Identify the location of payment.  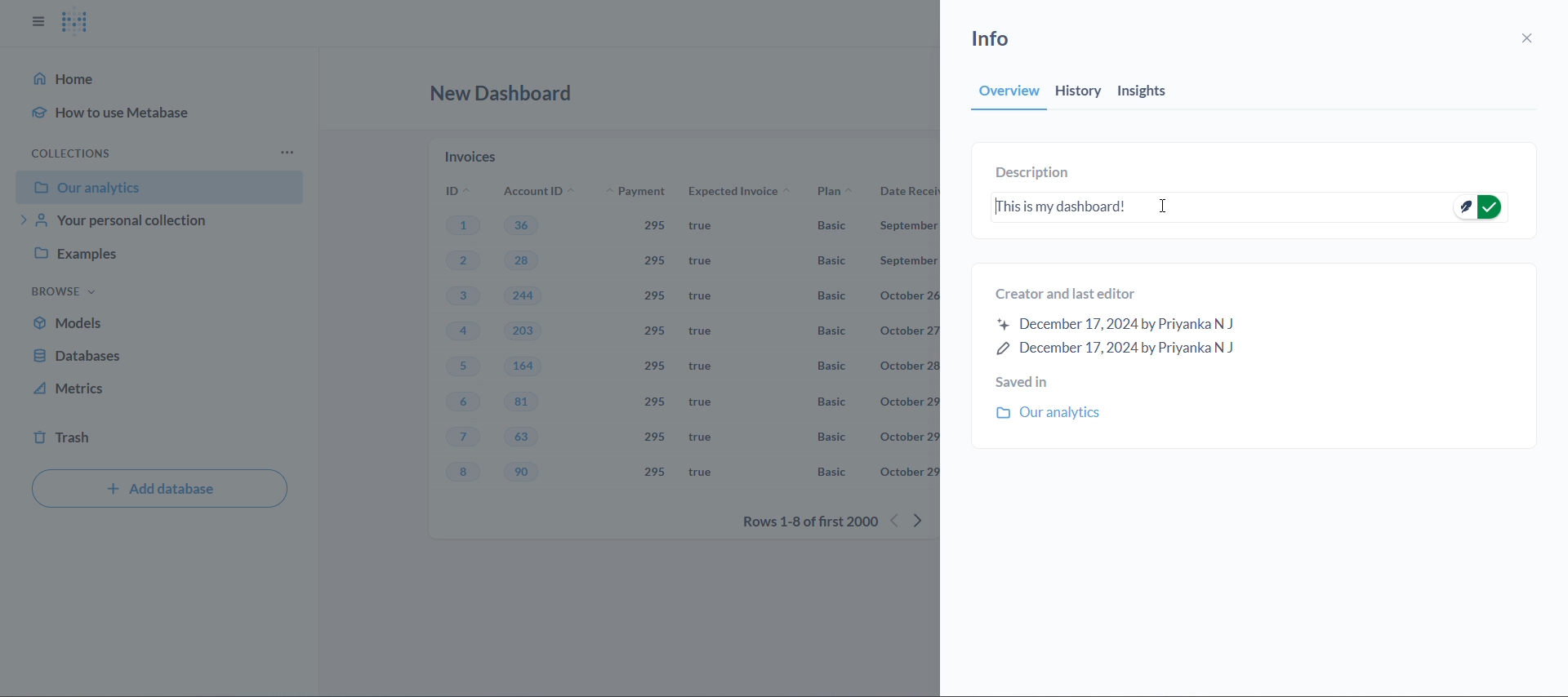
(645, 193).